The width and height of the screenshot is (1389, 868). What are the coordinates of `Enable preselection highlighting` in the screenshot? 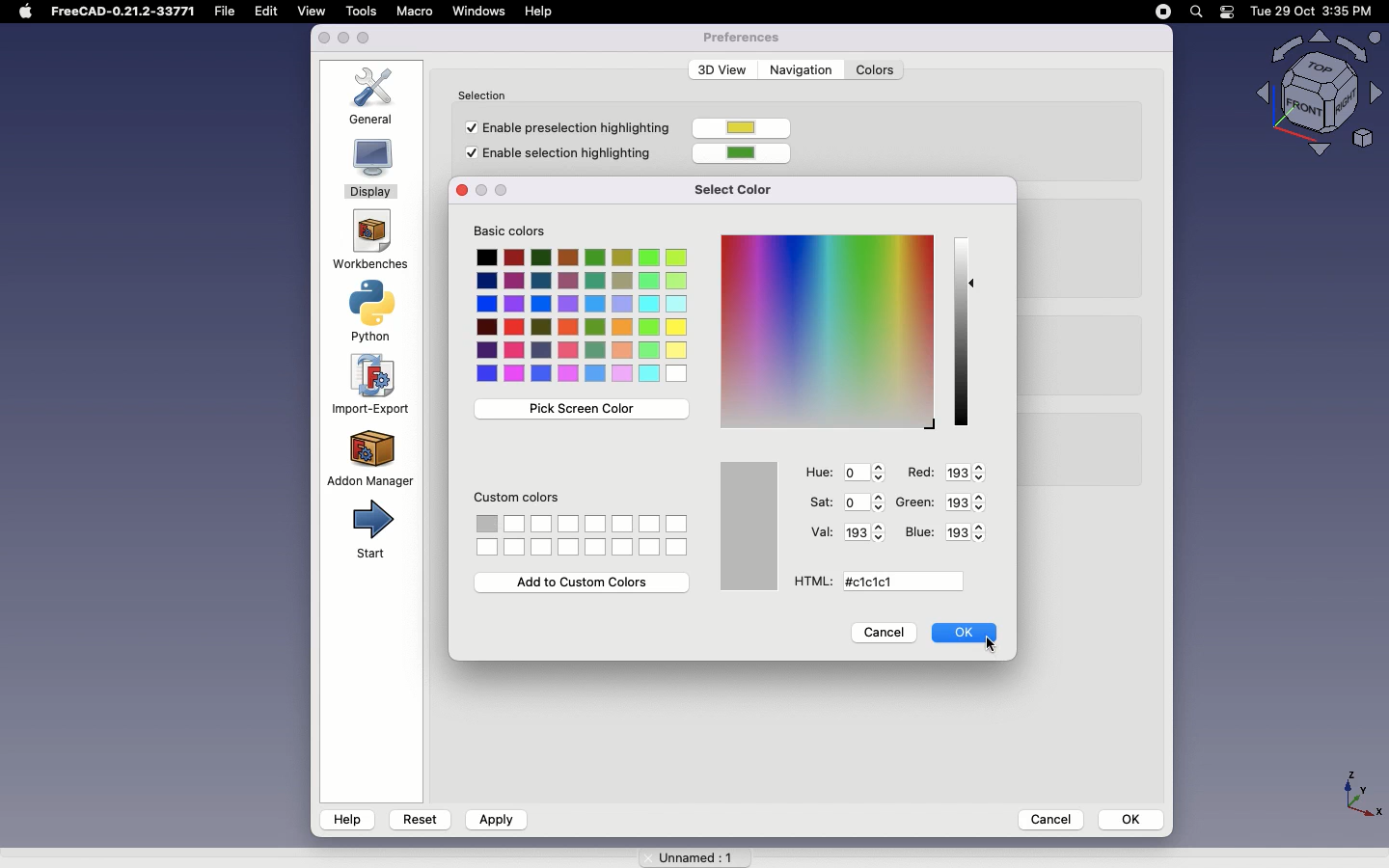 It's located at (562, 126).